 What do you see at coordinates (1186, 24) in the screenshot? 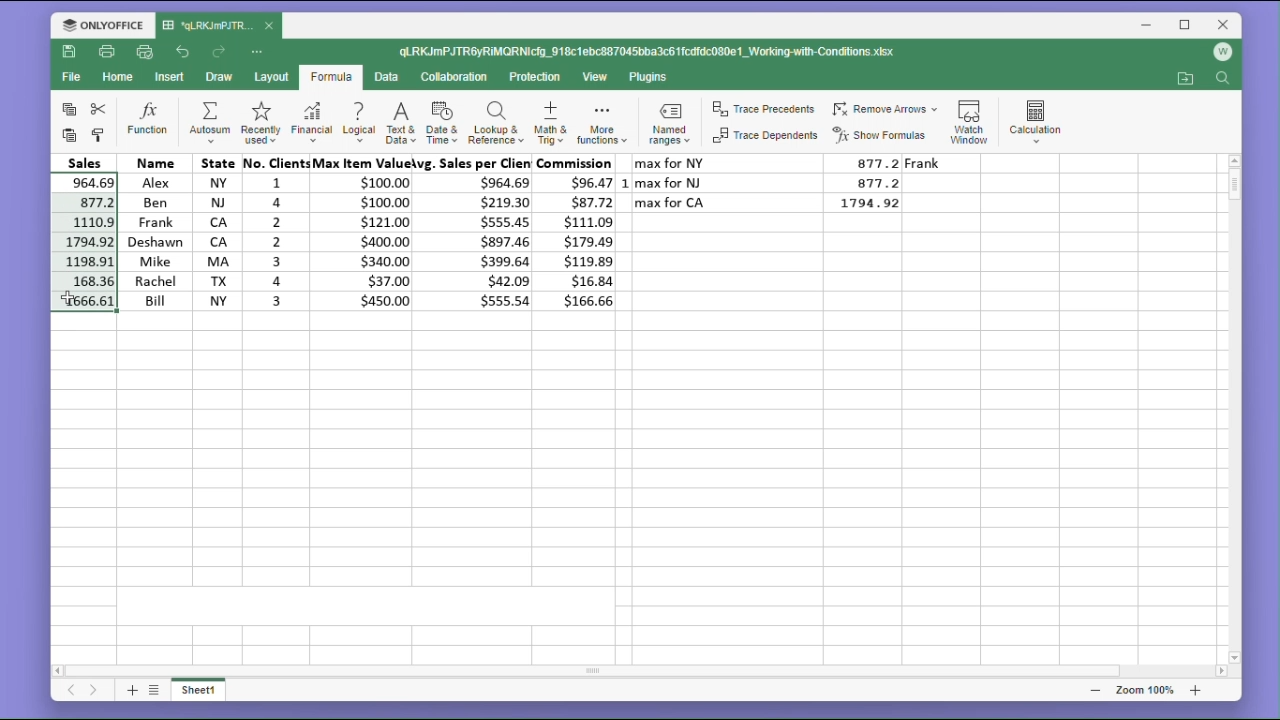
I see `maximize` at bounding box center [1186, 24].